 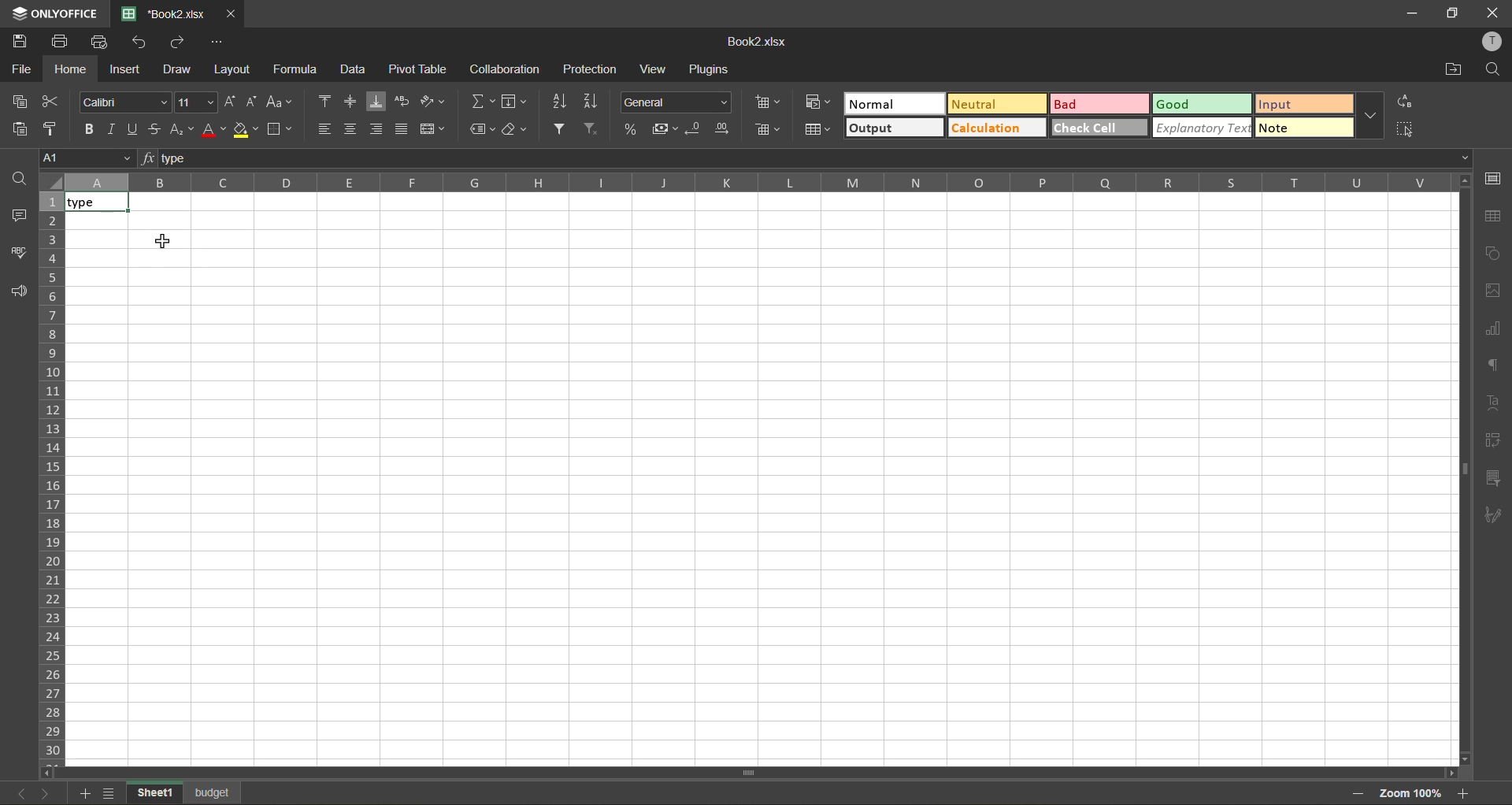 What do you see at coordinates (18, 101) in the screenshot?
I see `copy` at bounding box center [18, 101].